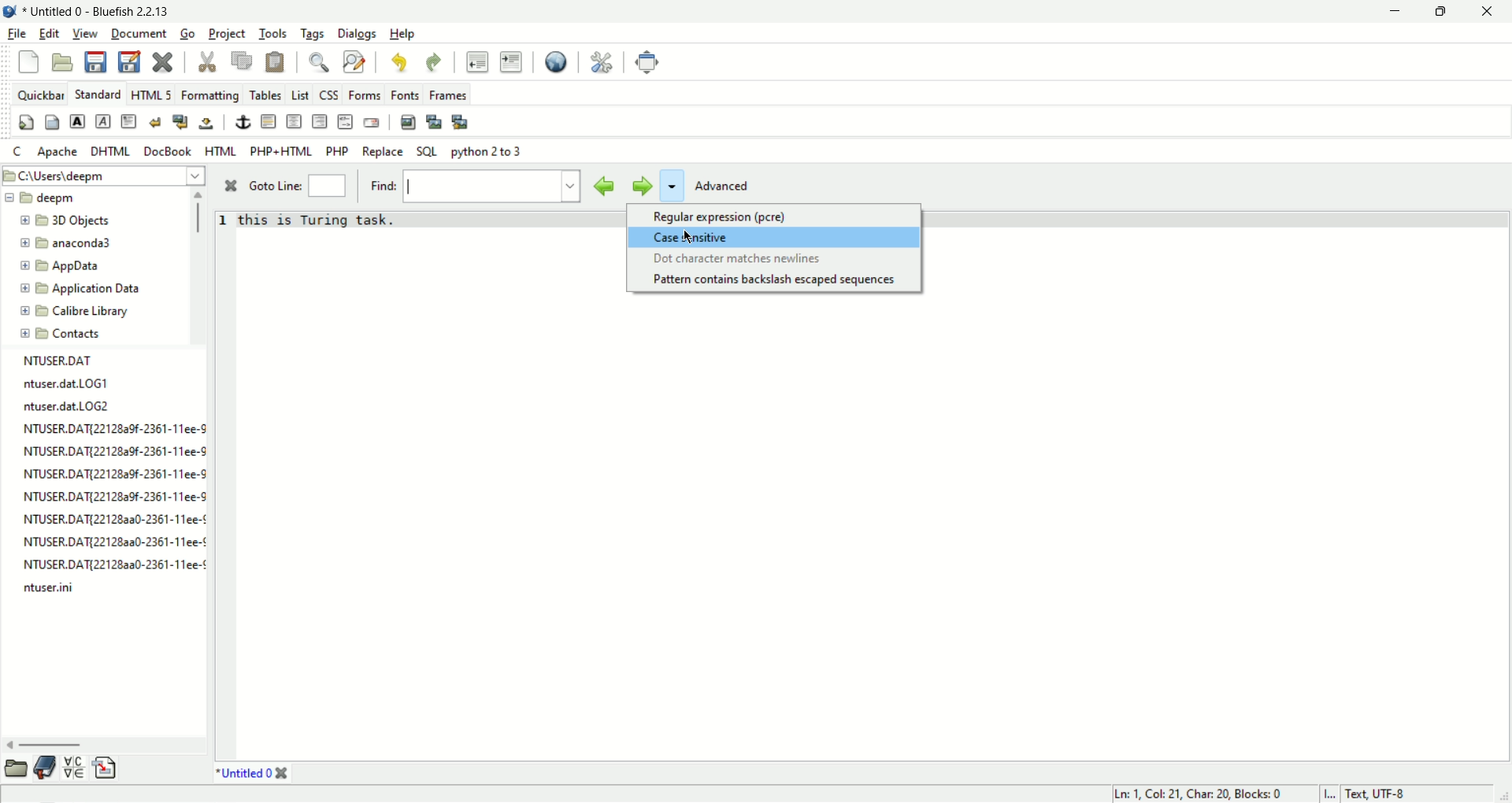 This screenshot has height=803, width=1512. What do you see at coordinates (75, 768) in the screenshot?
I see `char map` at bounding box center [75, 768].